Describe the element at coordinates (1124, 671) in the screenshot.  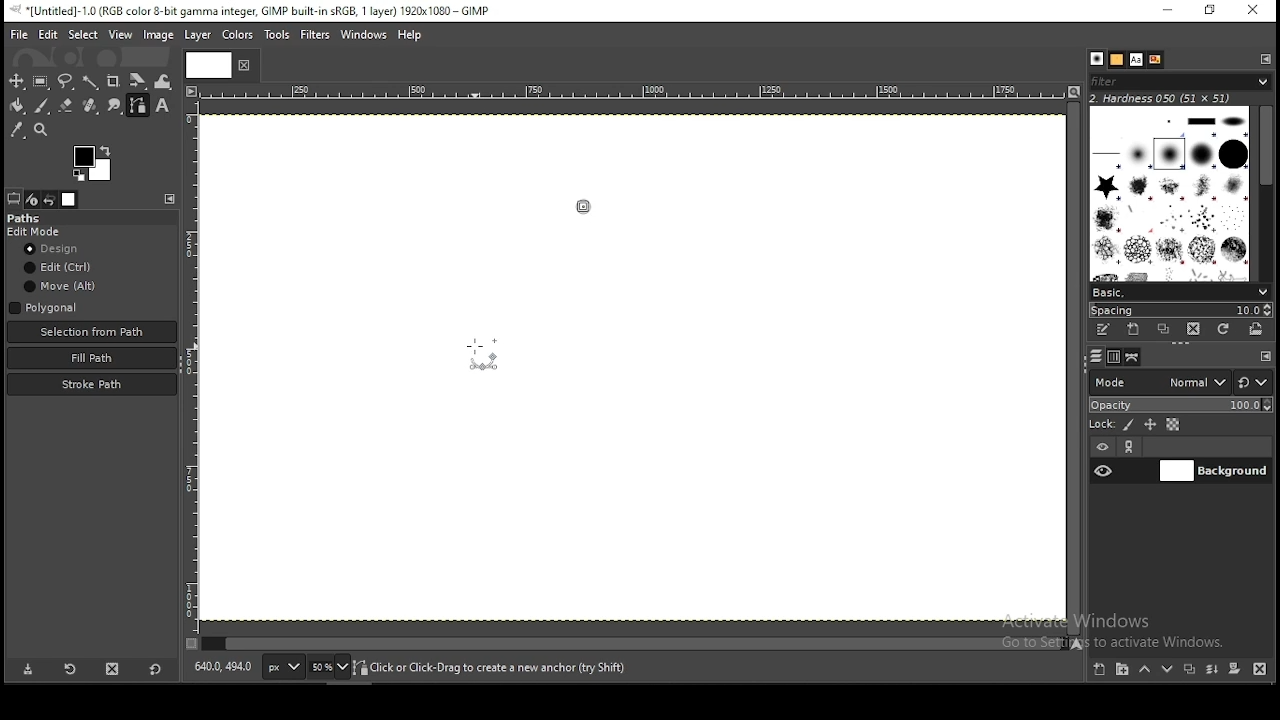
I see `create a new layer group` at that location.